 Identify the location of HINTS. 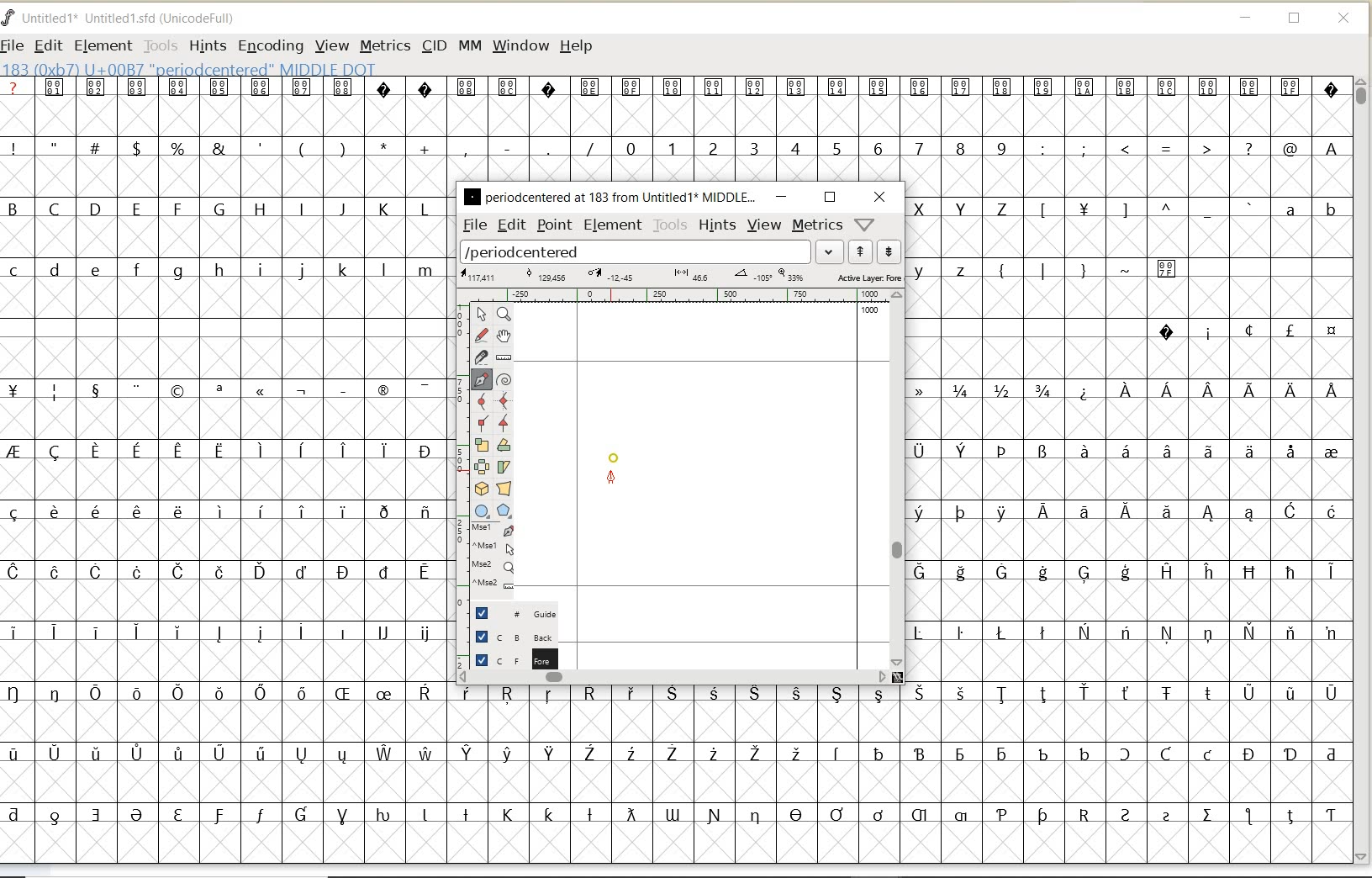
(206, 45).